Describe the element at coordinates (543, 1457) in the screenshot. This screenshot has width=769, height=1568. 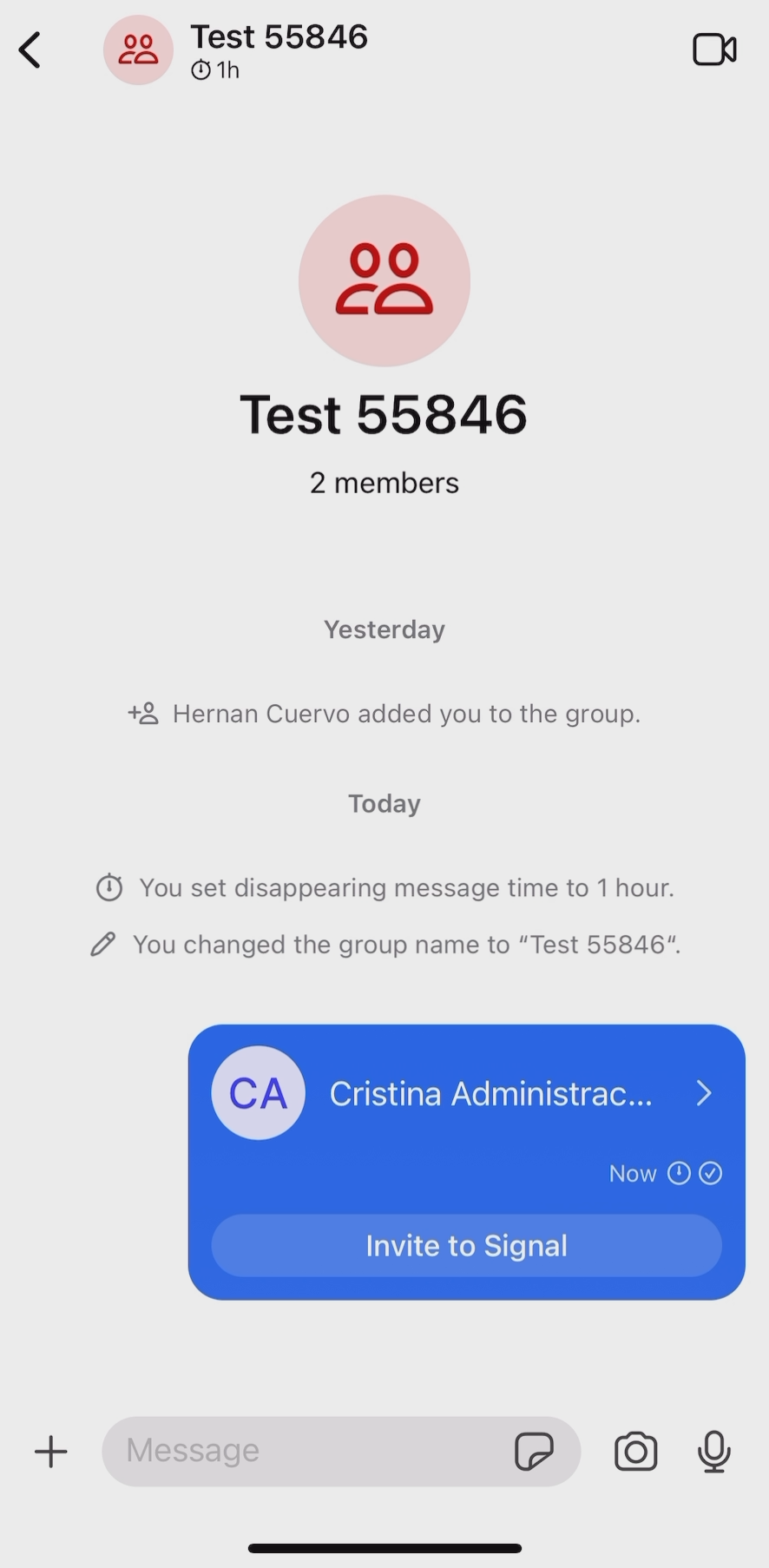
I see `gif` at that location.